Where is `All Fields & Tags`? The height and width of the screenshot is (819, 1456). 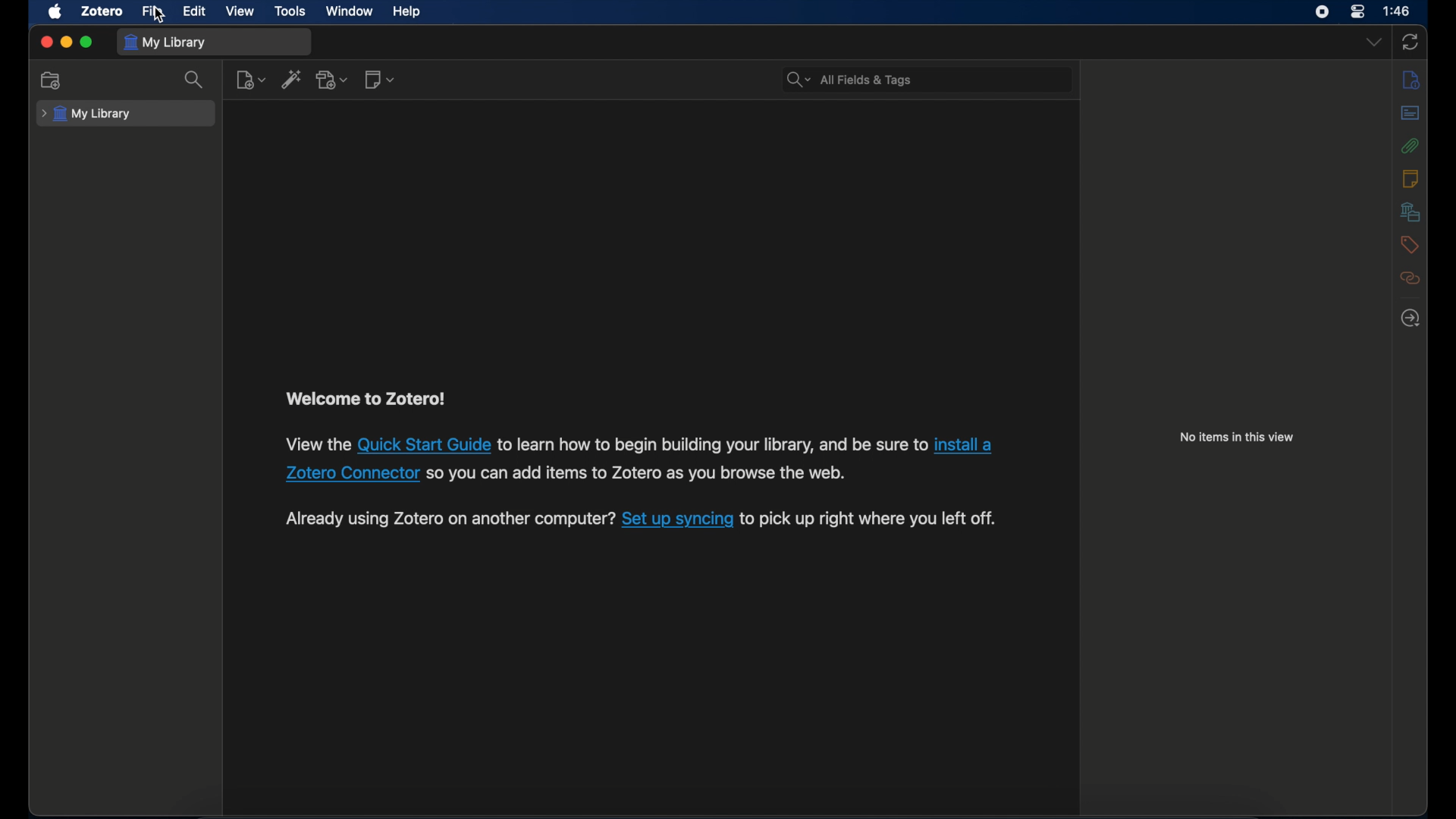 All Fields & Tags is located at coordinates (929, 80).